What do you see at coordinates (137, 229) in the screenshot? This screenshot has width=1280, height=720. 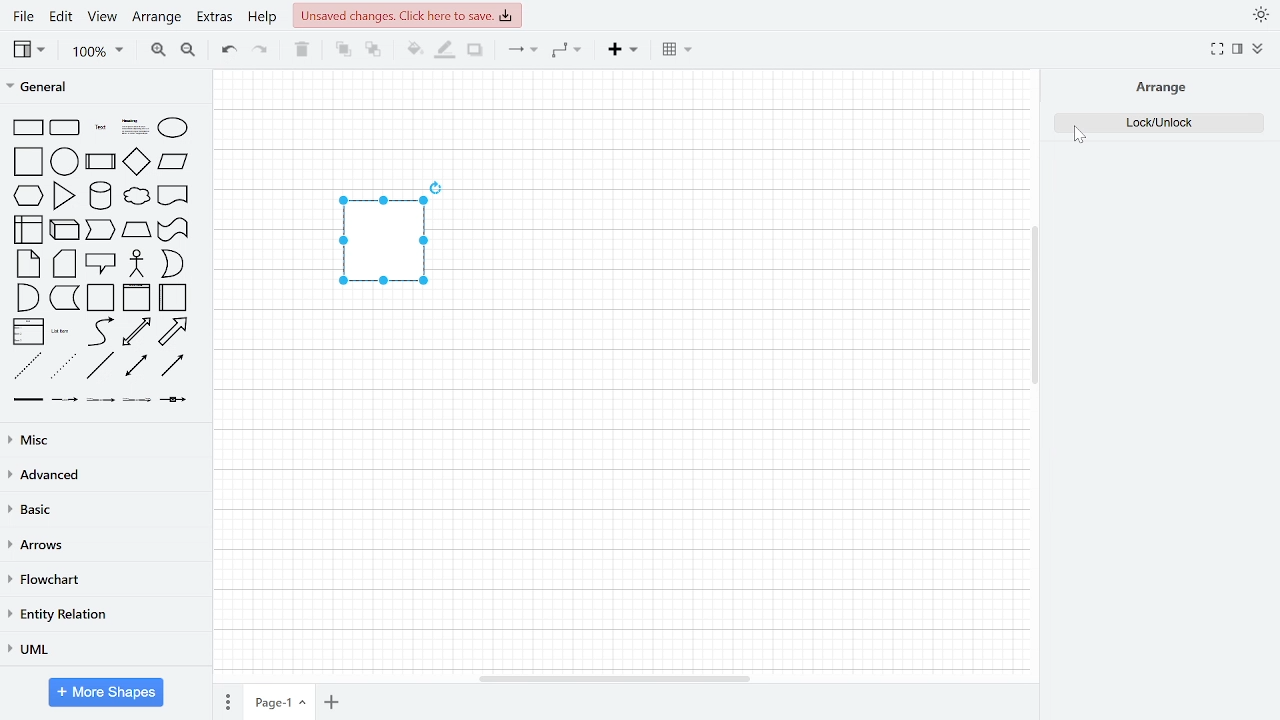 I see `trapezoid` at bounding box center [137, 229].